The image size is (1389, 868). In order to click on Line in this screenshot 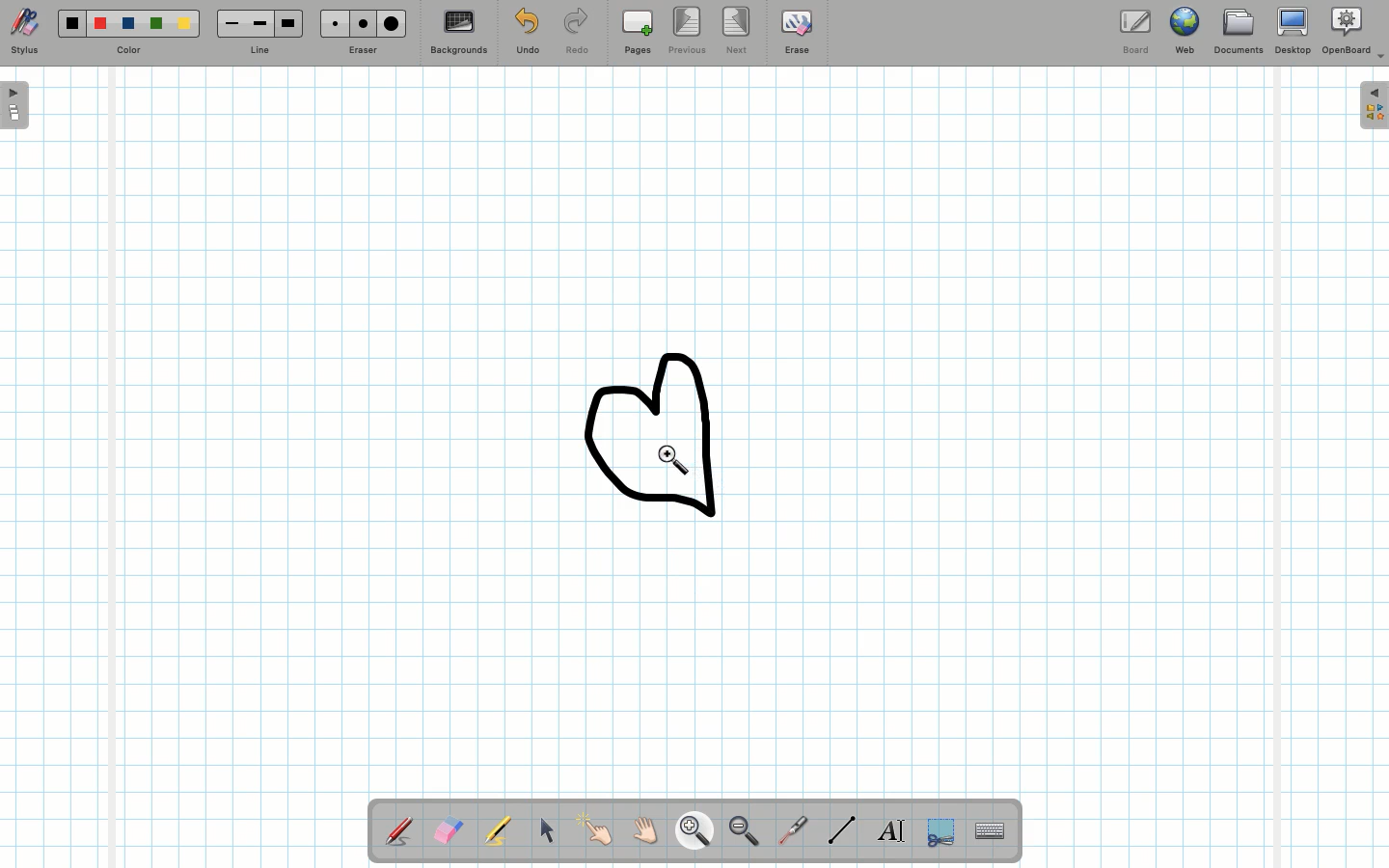, I will do `click(838, 829)`.